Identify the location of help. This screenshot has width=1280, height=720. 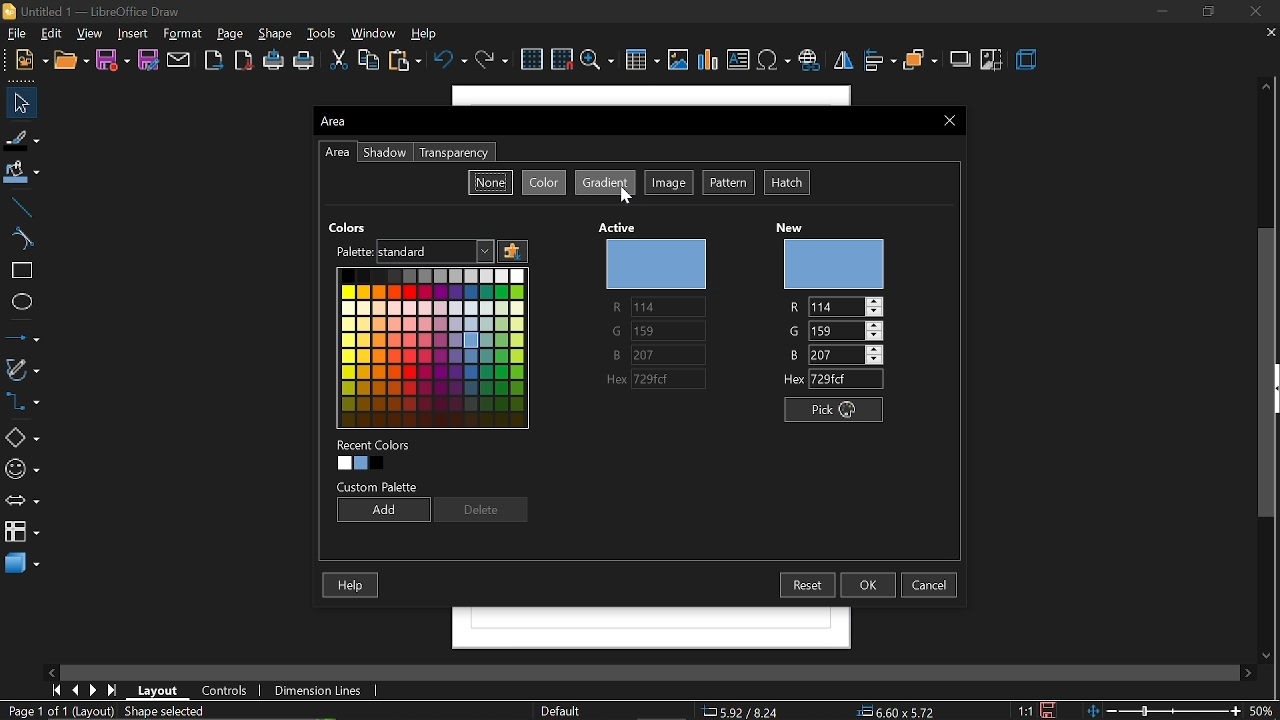
(352, 586).